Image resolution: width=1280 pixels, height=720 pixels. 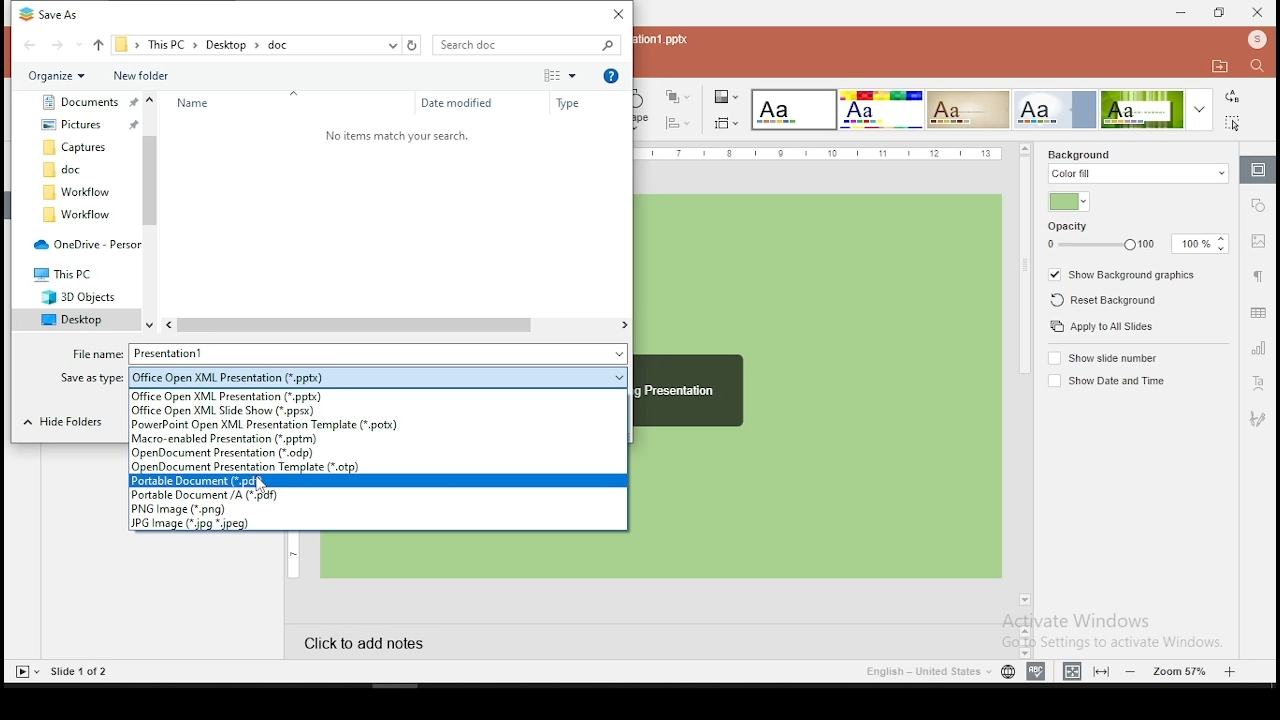 What do you see at coordinates (1142, 109) in the screenshot?
I see `select color theme` at bounding box center [1142, 109].